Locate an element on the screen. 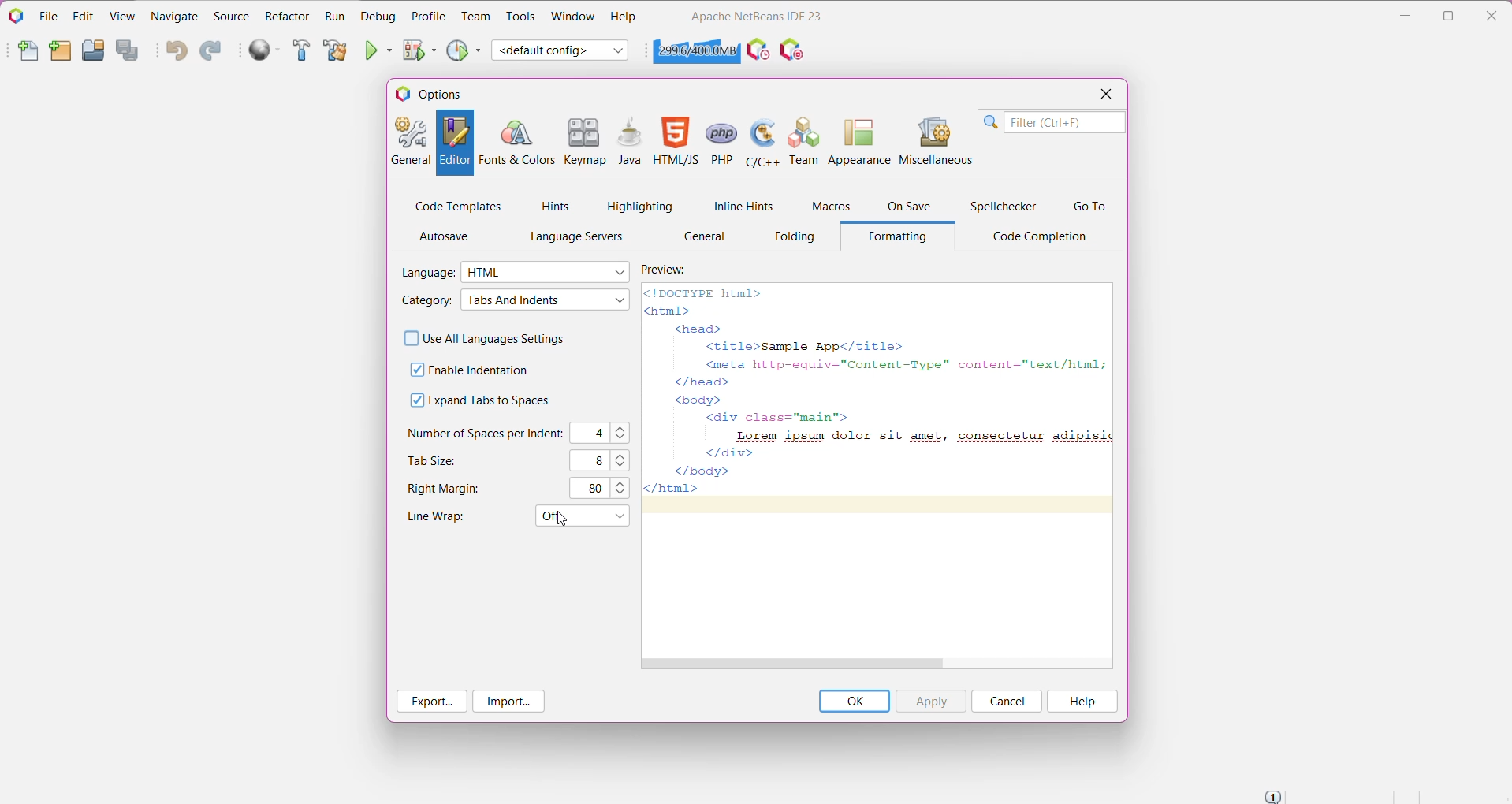 The height and width of the screenshot is (804, 1512). </body> is located at coordinates (706, 471).